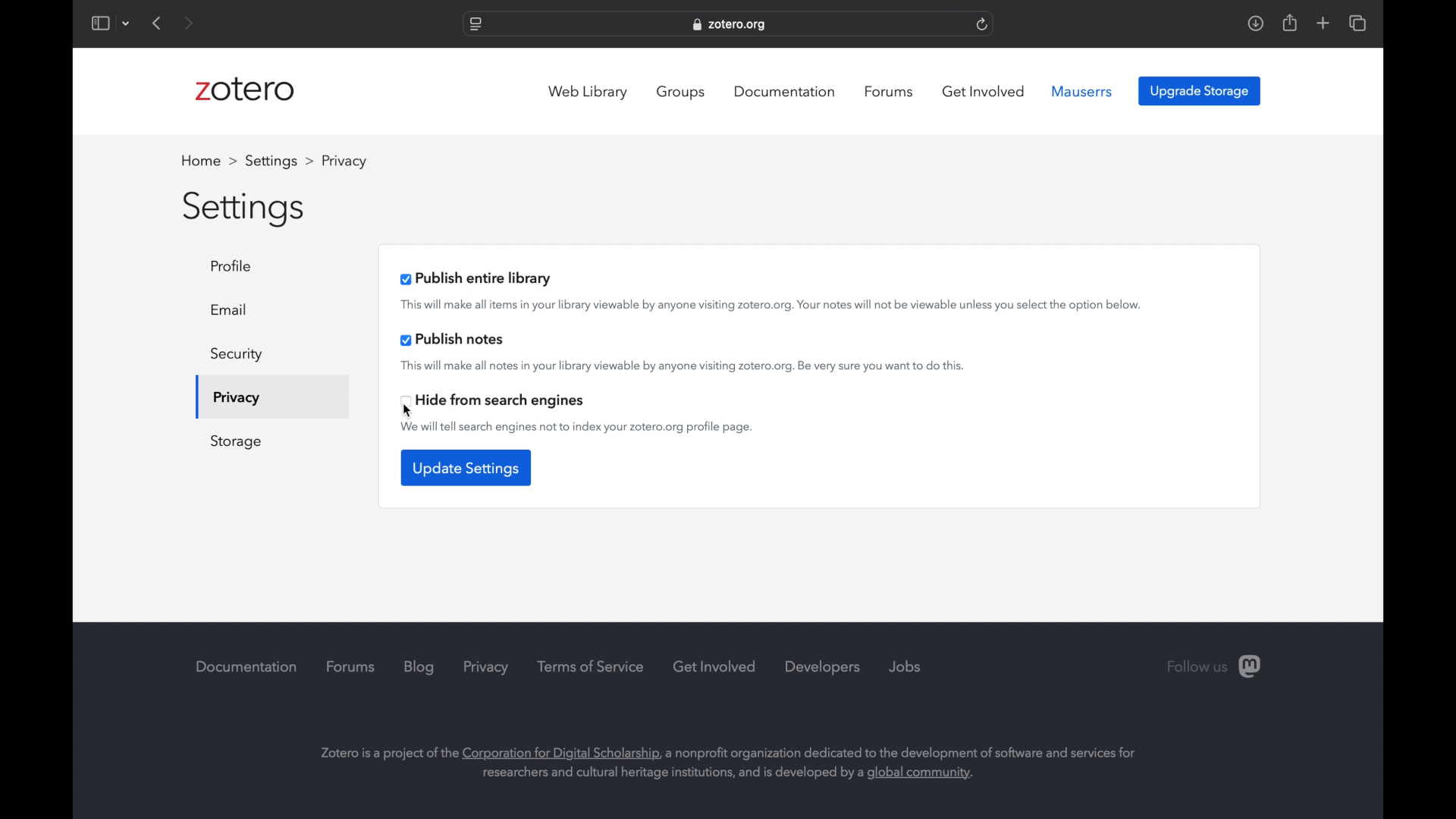 This screenshot has width=1456, height=819. What do you see at coordinates (495, 401) in the screenshot?
I see `hide from search engines` at bounding box center [495, 401].